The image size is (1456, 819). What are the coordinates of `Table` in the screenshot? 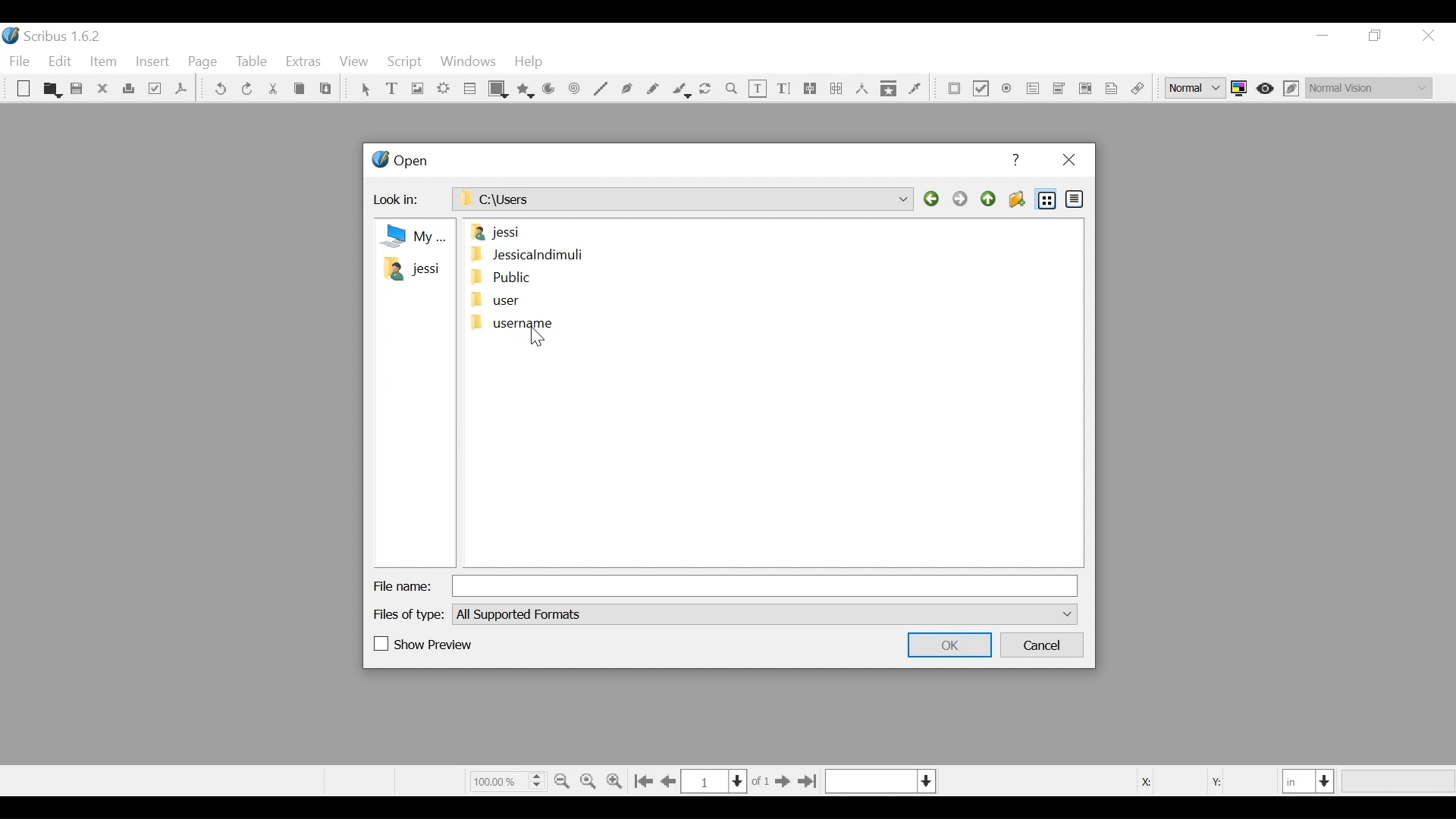 It's located at (253, 63).